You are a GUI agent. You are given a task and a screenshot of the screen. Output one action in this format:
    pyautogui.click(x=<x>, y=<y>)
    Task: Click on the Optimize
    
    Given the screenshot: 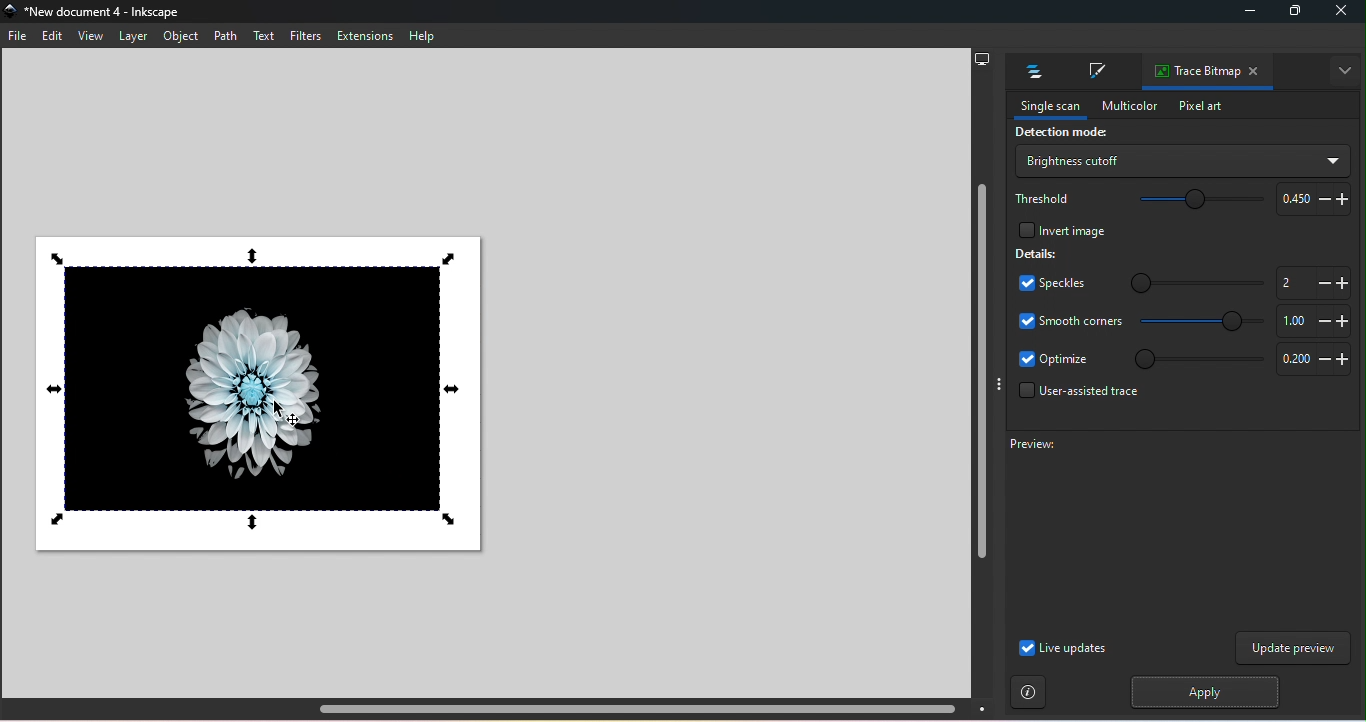 What is the action you would take?
    pyautogui.click(x=1054, y=360)
    